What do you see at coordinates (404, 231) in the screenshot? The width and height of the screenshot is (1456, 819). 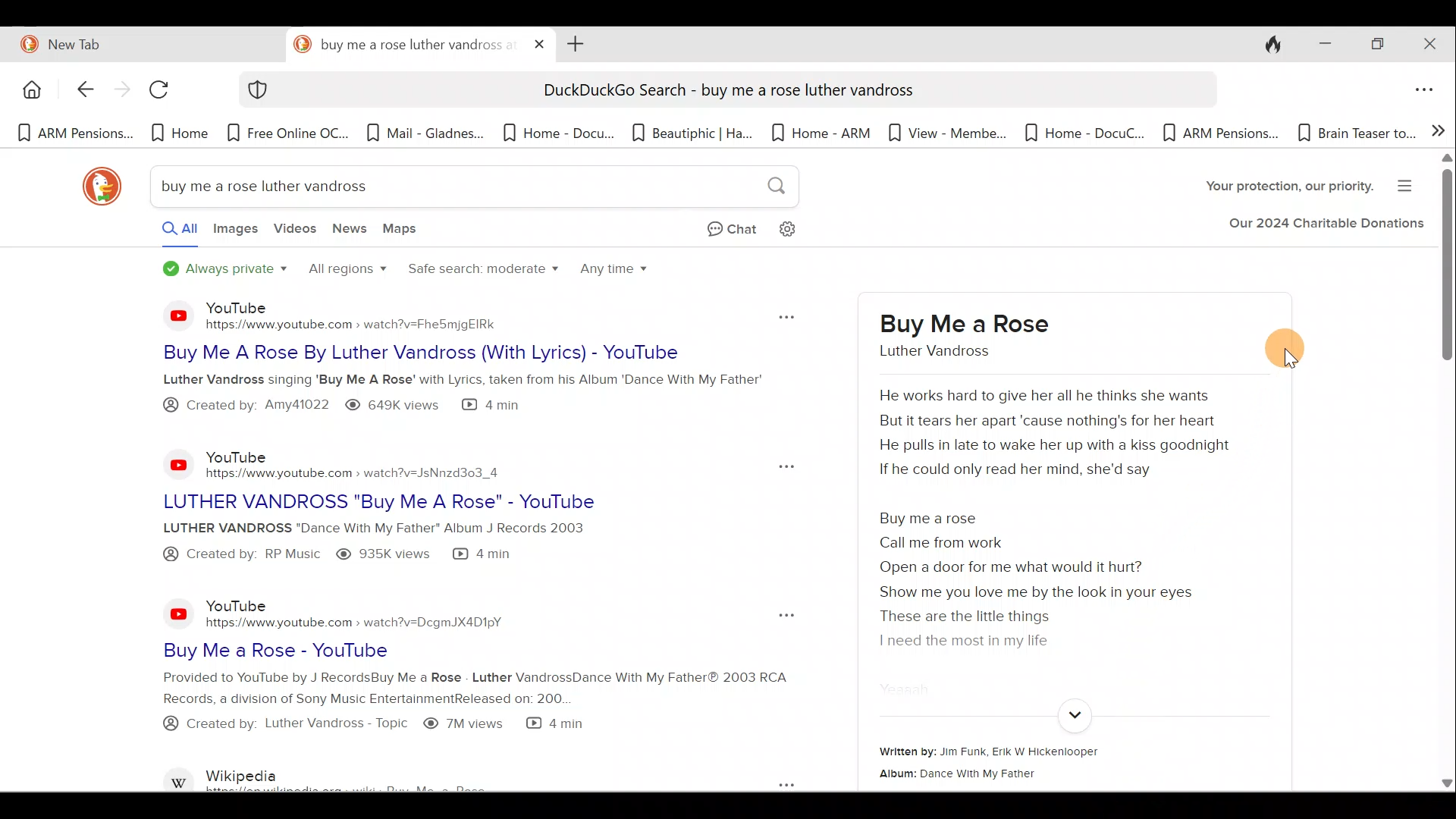 I see `Maps` at bounding box center [404, 231].